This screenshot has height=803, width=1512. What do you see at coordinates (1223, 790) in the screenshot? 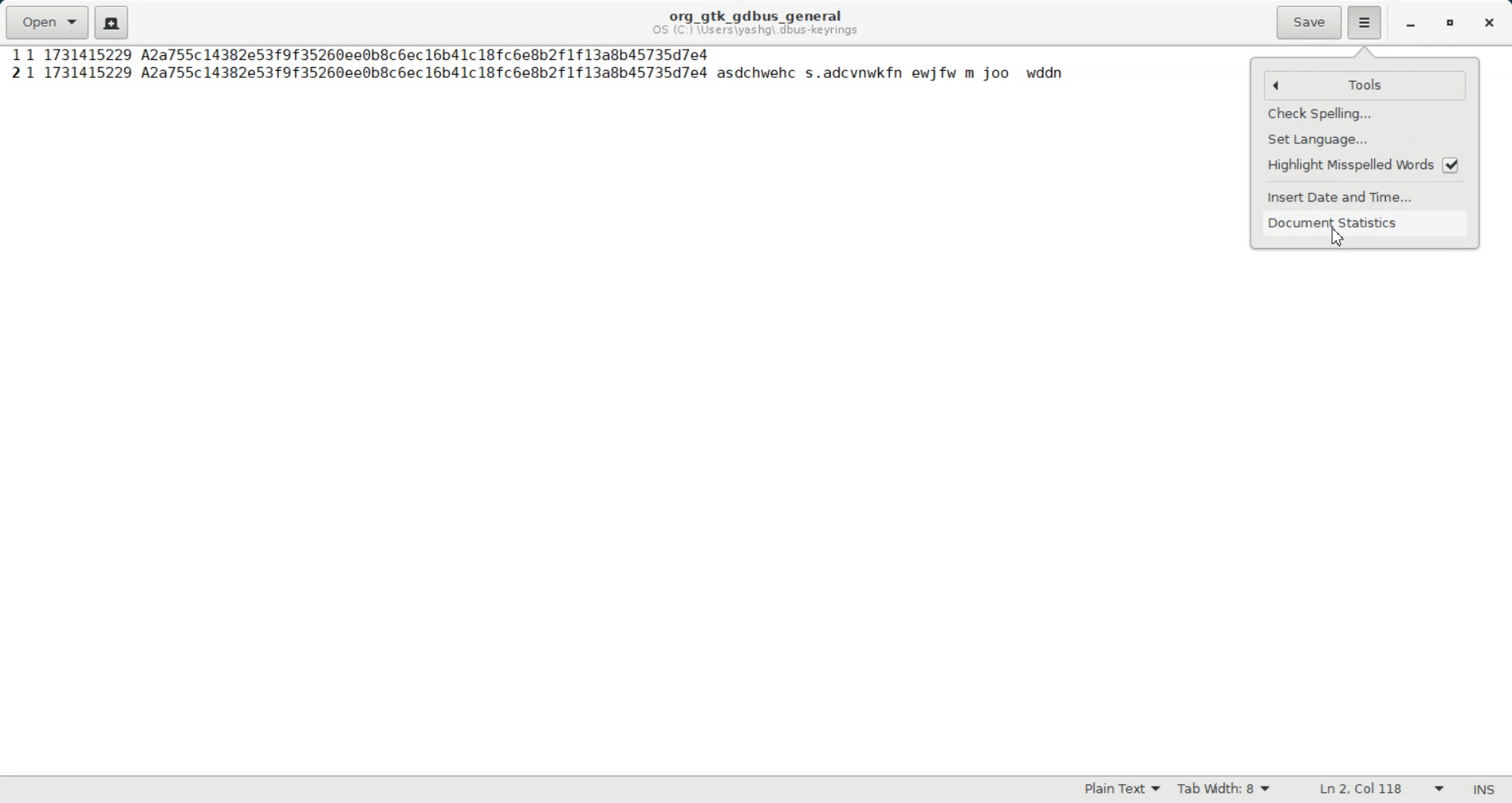
I see `Tab width: 8` at bounding box center [1223, 790].